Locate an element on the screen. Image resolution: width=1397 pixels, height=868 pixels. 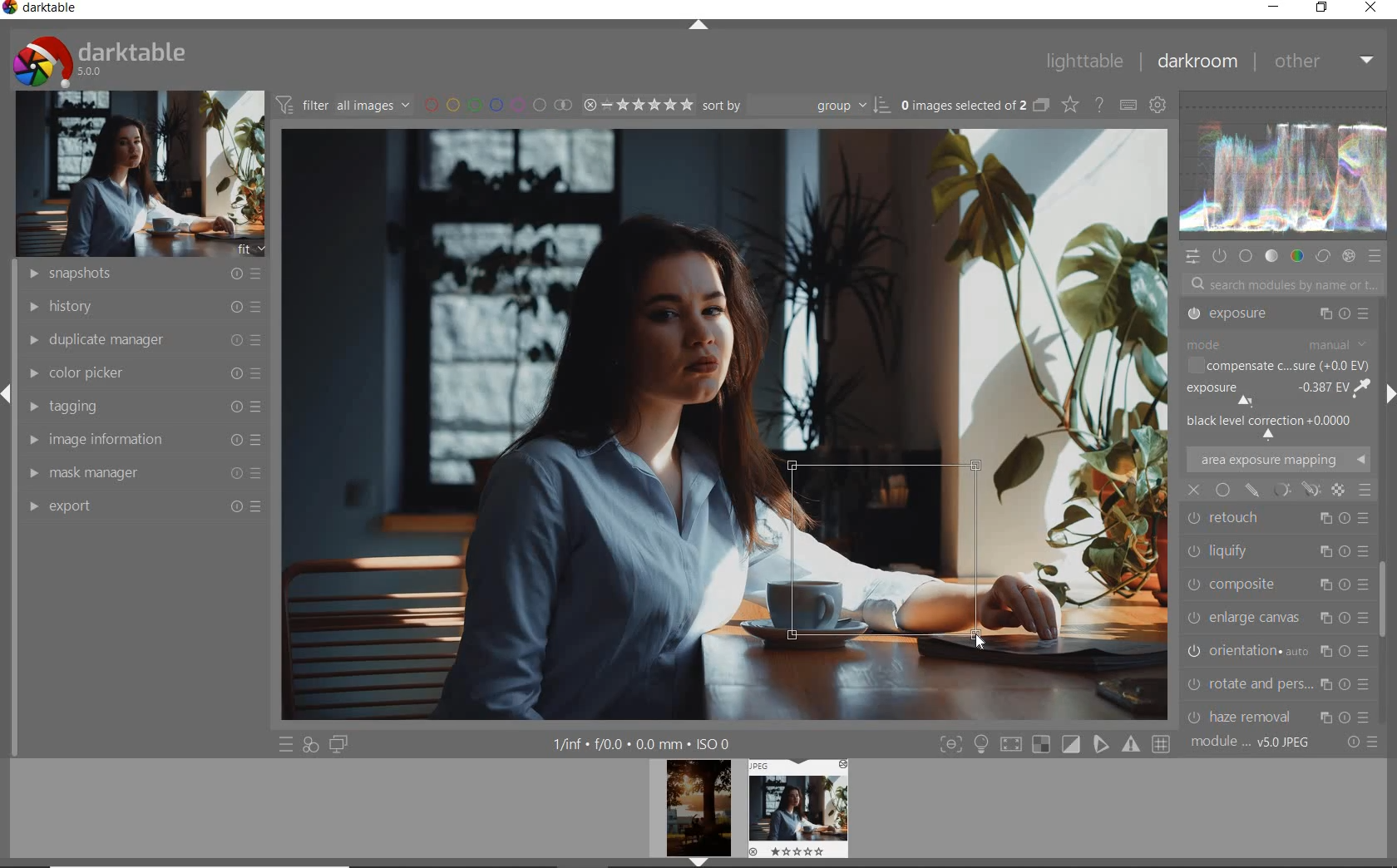
SCROLLBAR is located at coordinates (1386, 608).